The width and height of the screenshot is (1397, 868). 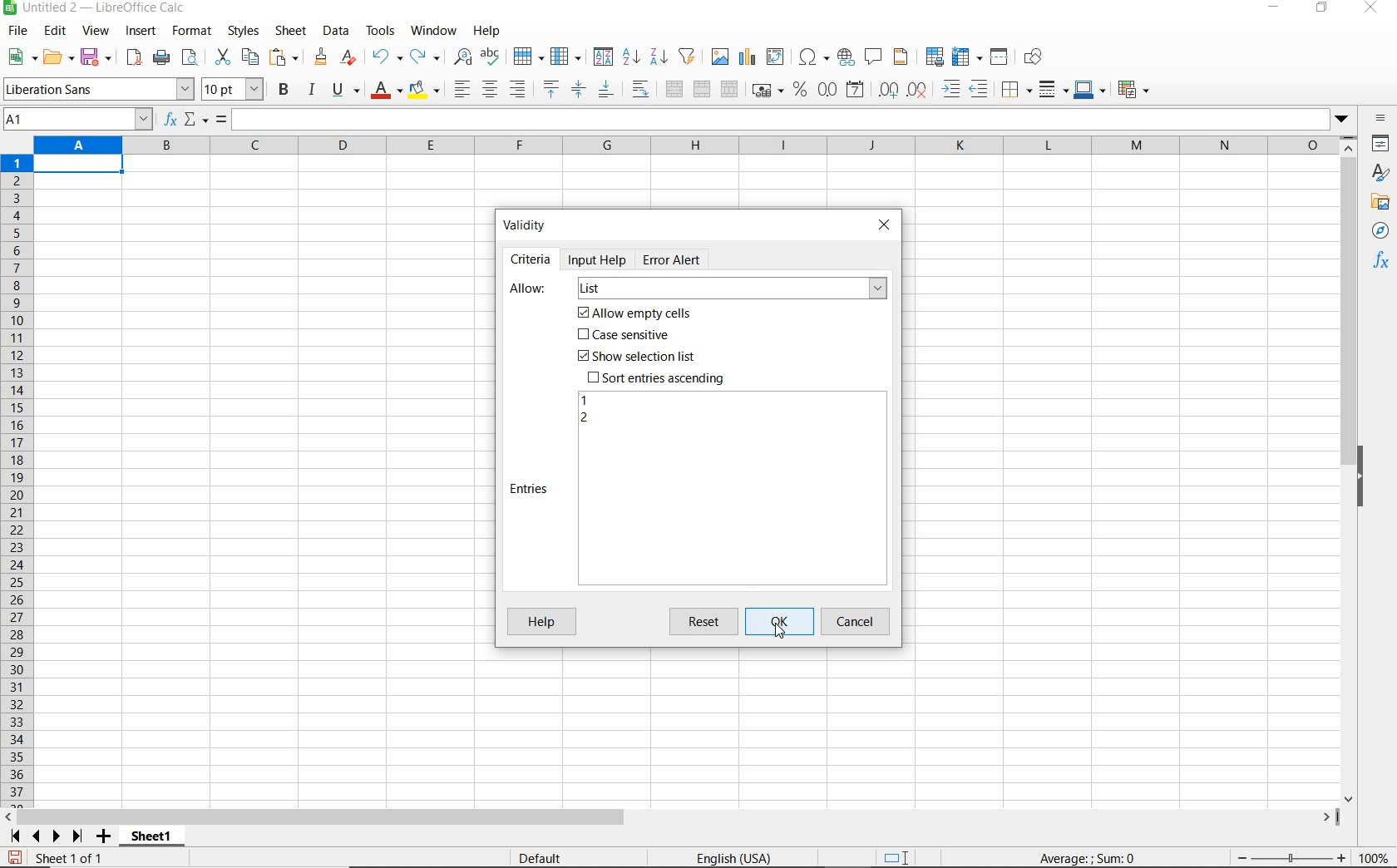 I want to click on font color, so click(x=388, y=90).